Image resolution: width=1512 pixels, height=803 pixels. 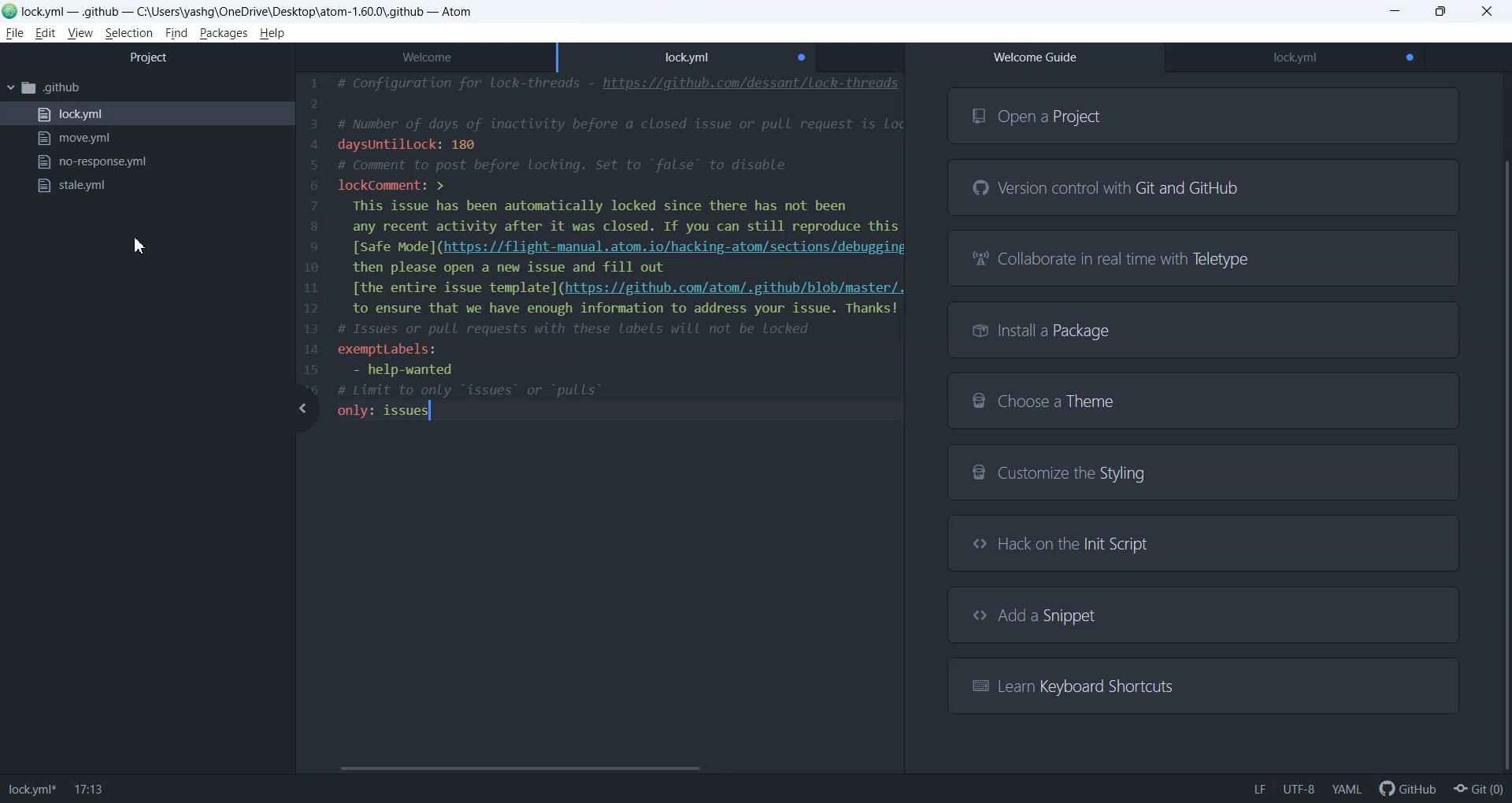 I want to click on Choose a Theme, so click(x=1202, y=400).